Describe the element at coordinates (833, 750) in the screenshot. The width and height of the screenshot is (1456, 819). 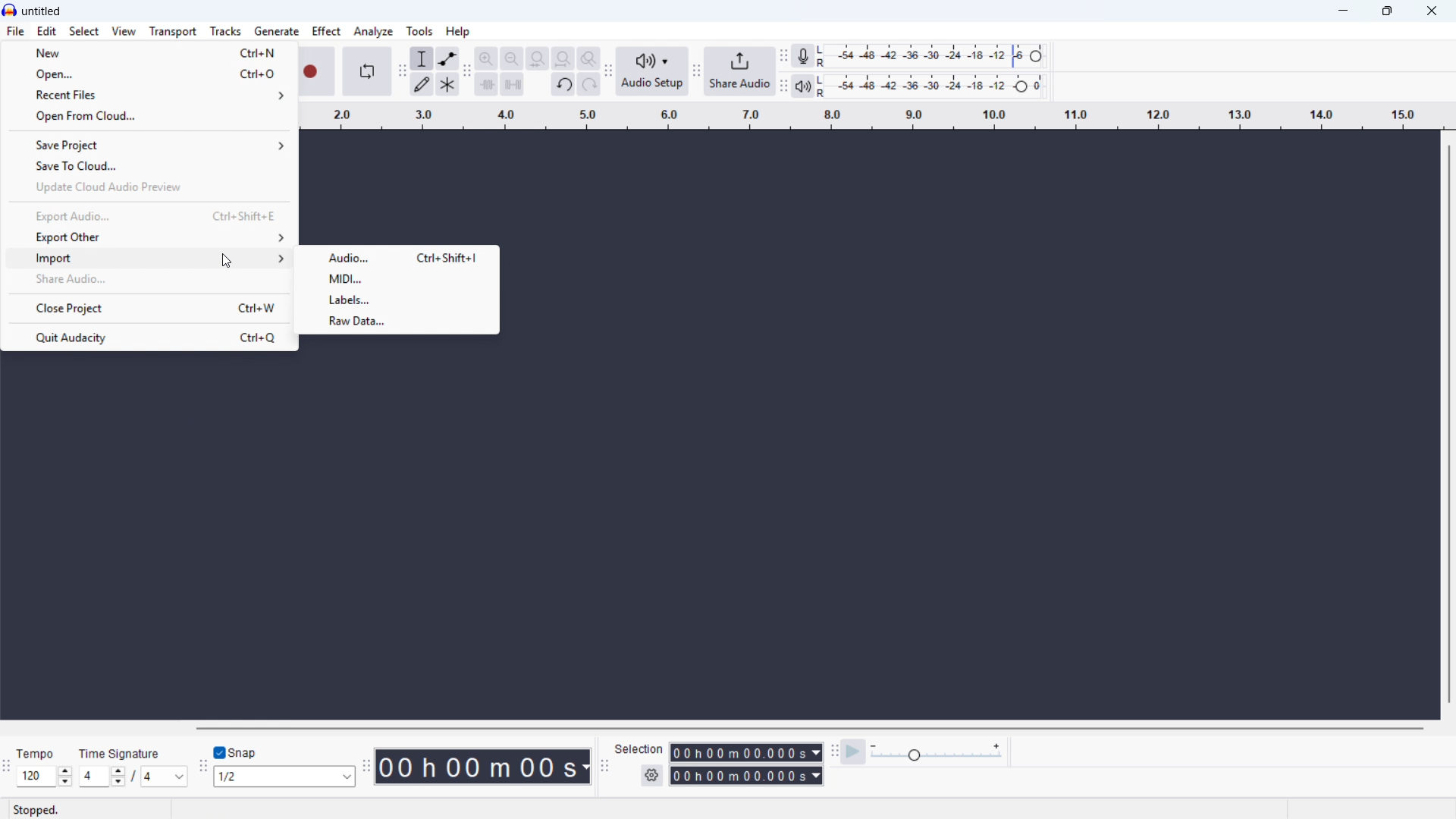
I see `Play at speed toolbar ` at that location.